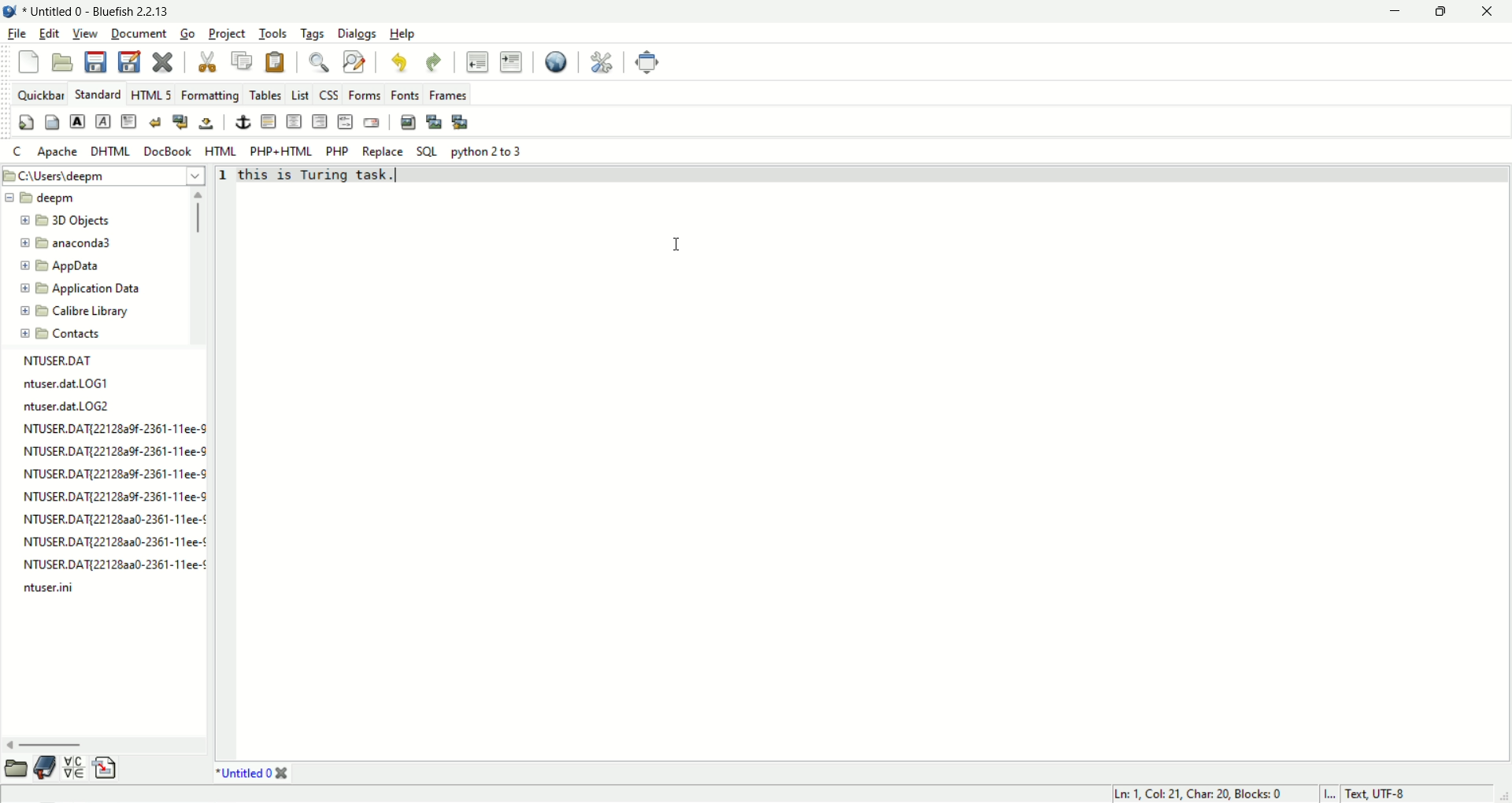 Image resolution: width=1512 pixels, height=803 pixels. I want to click on PHP+HTML, so click(281, 152).